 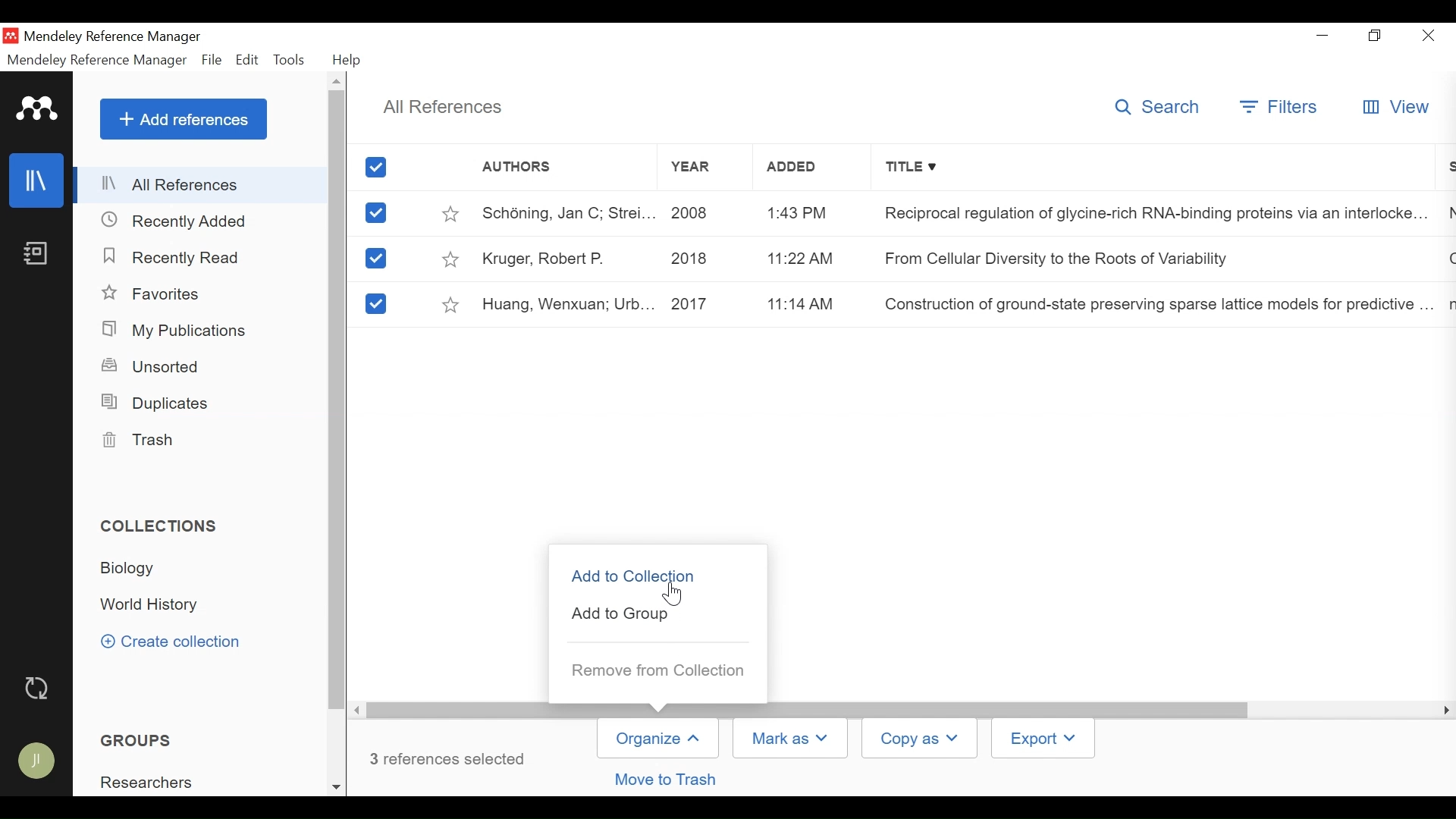 I want to click on Move To trash, so click(x=664, y=780).